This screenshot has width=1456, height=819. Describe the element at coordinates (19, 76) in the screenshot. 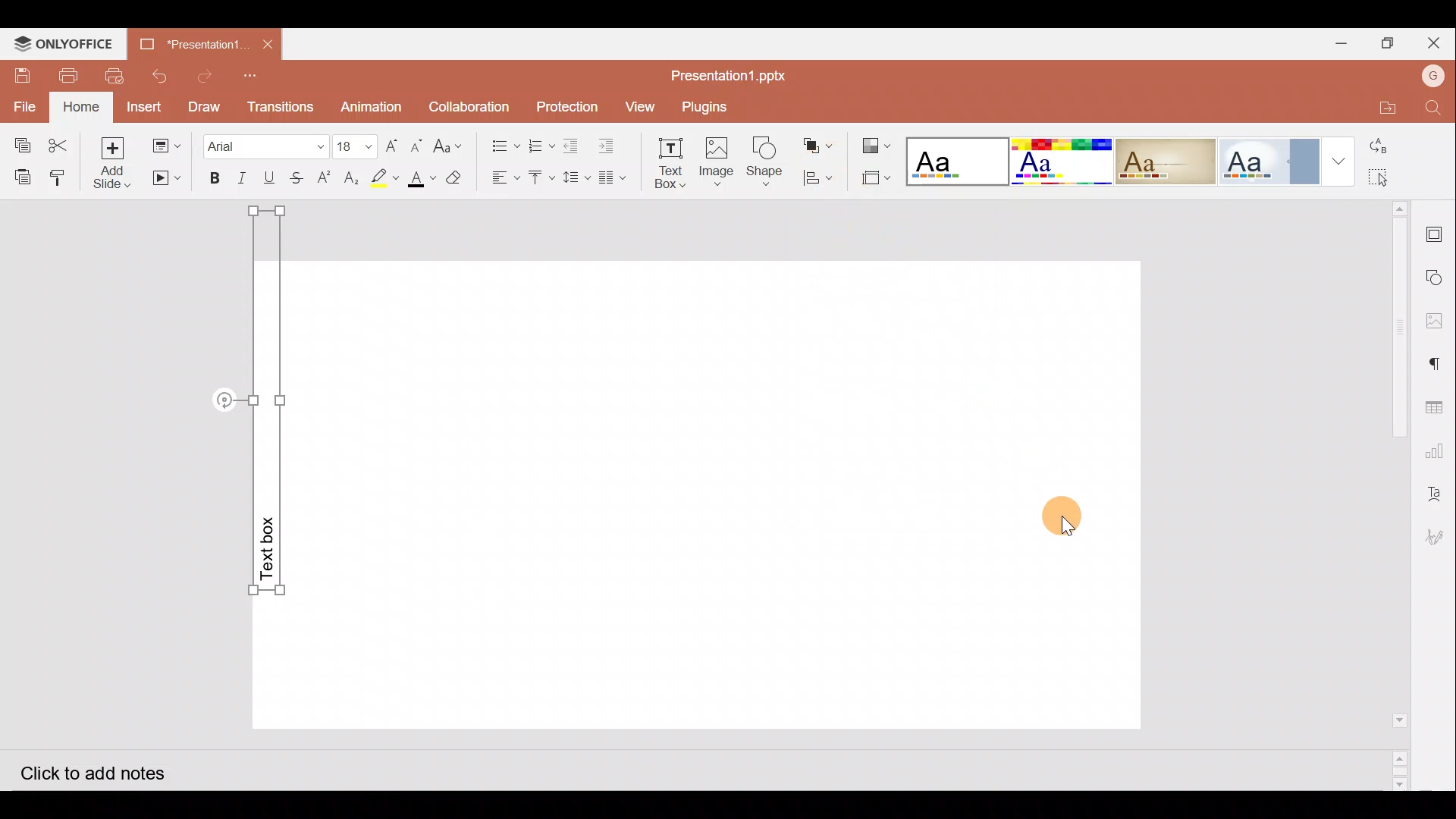

I see `Save` at that location.